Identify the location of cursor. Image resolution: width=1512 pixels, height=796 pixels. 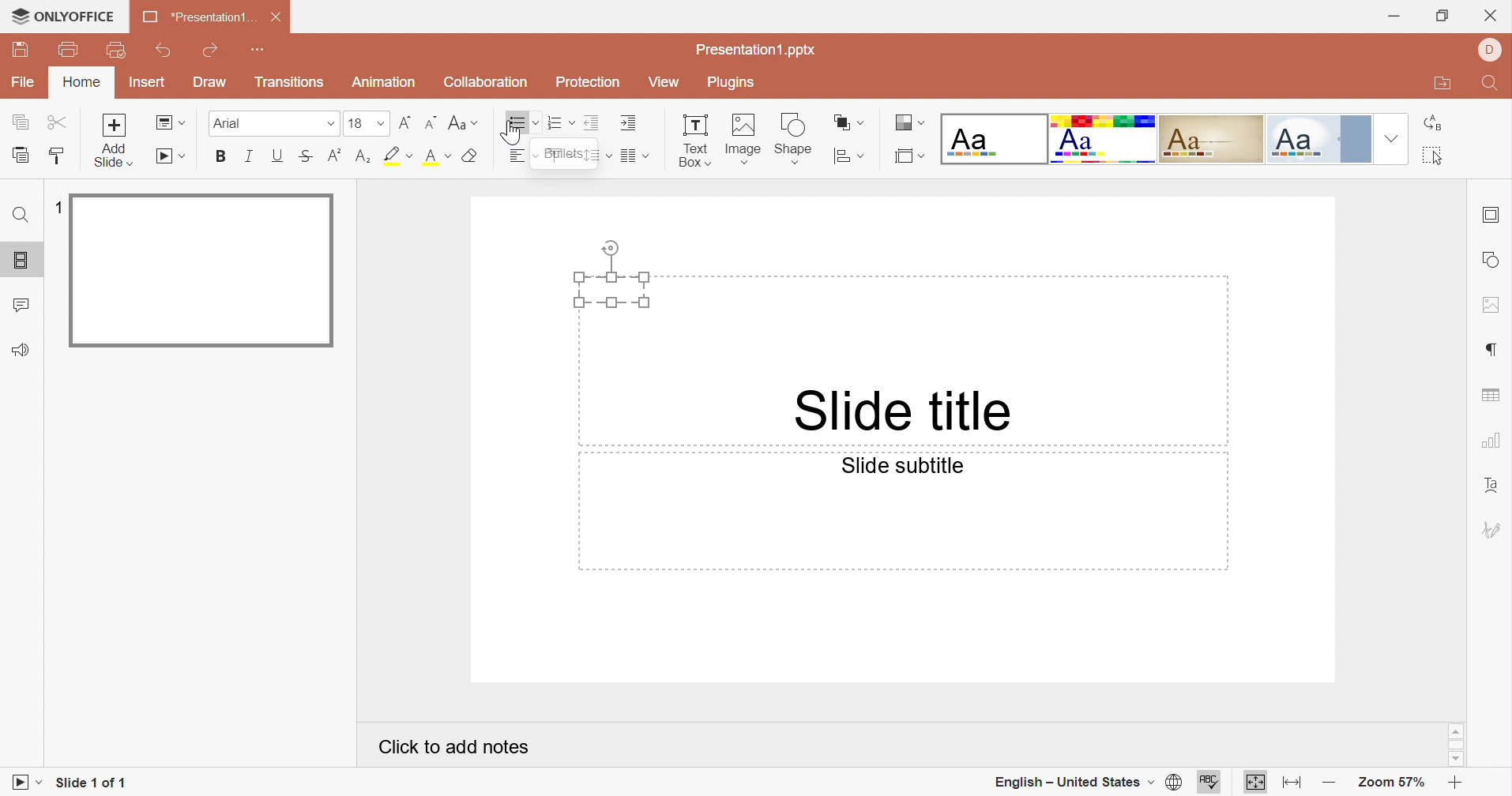
(17, 15).